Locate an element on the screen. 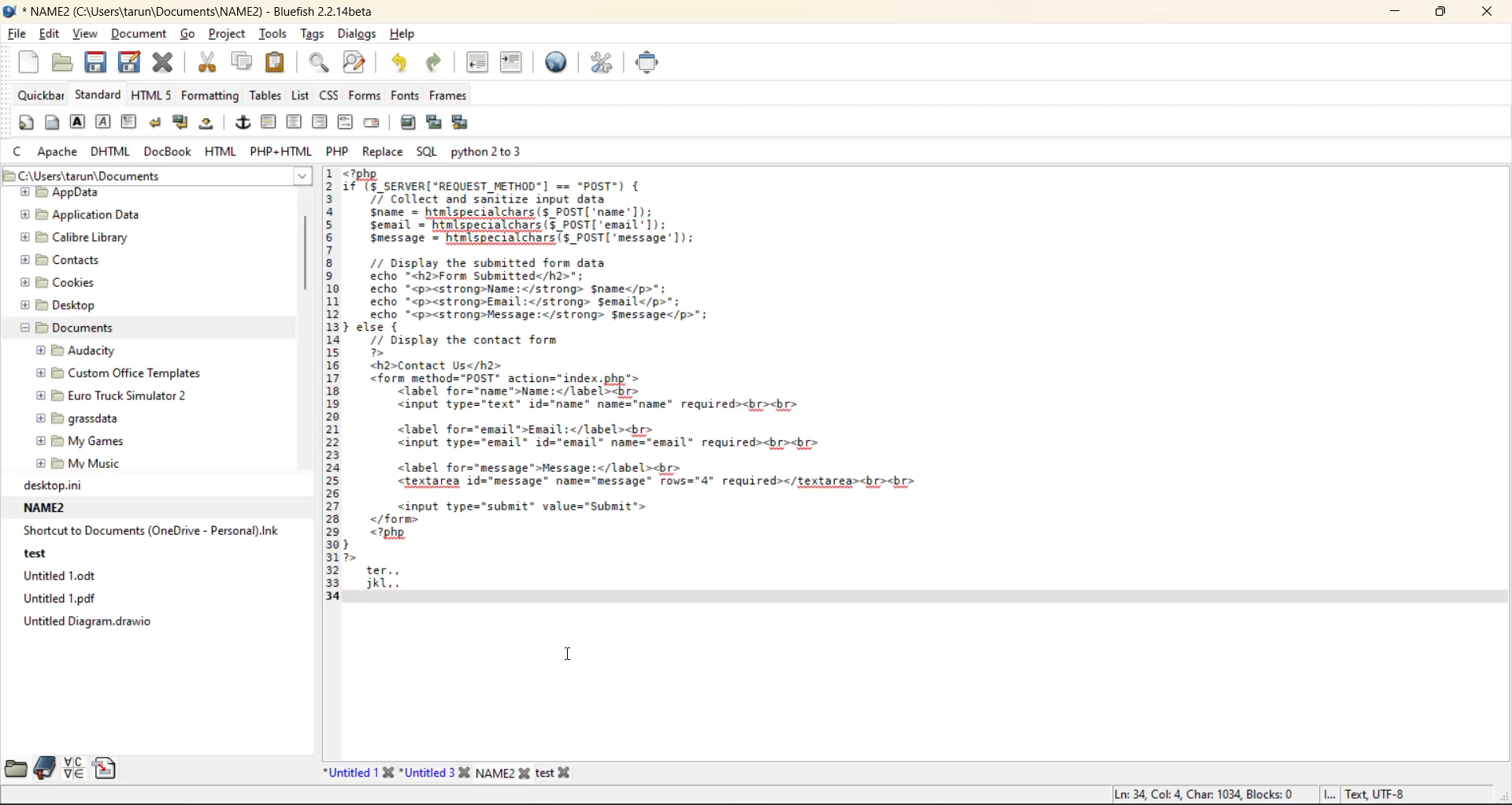  Euro Truck Simulator 2 is located at coordinates (115, 395).